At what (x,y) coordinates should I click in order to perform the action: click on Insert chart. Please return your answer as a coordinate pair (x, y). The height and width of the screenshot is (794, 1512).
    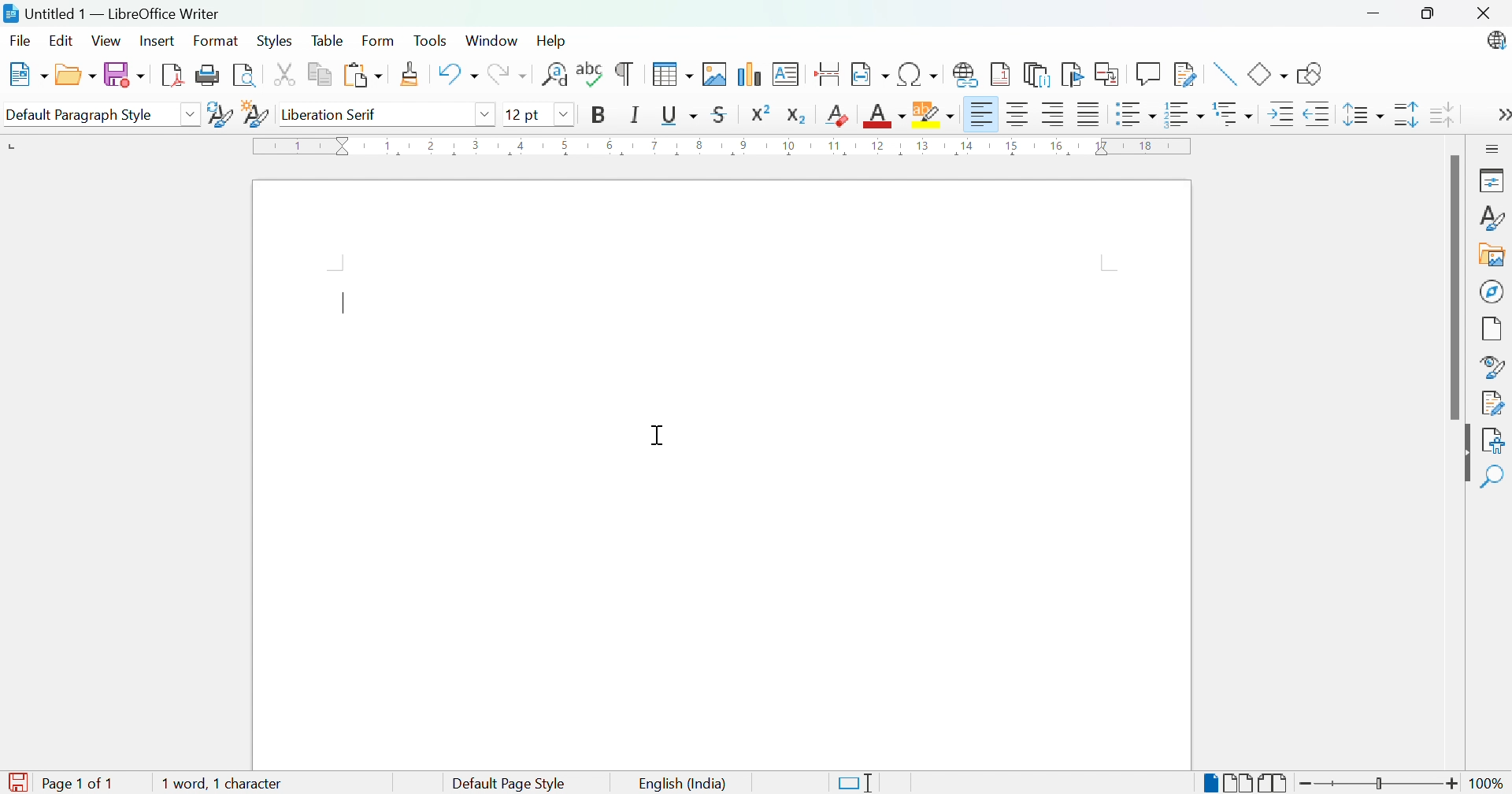
    Looking at the image, I should click on (747, 75).